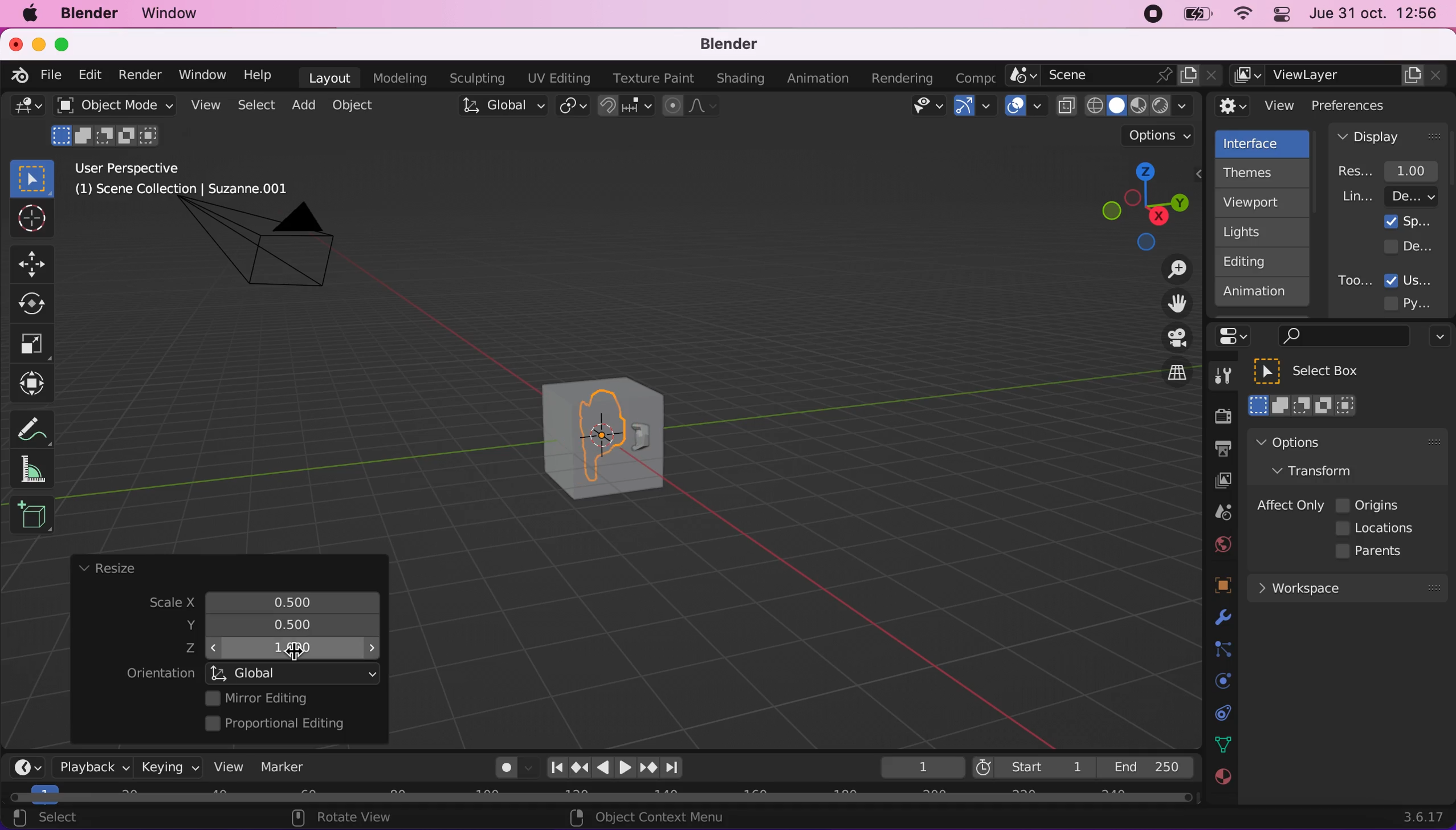 This screenshot has width=1456, height=830. What do you see at coordinates (1320, 442) in the screenshot?
I see `options` at bounding box center [1320, 442].